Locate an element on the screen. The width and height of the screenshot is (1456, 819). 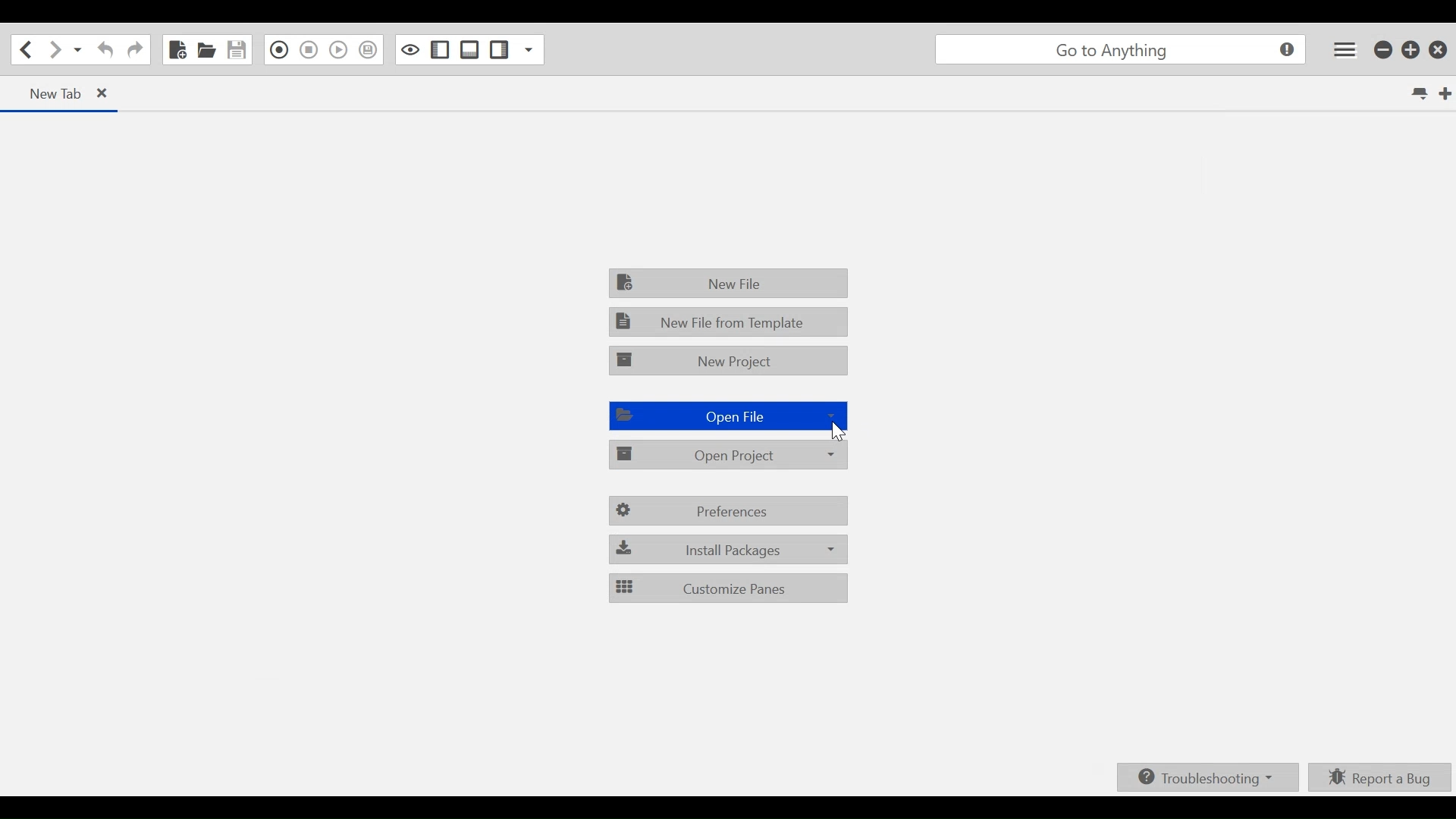
Cursor is located at coordinates (839, 434).